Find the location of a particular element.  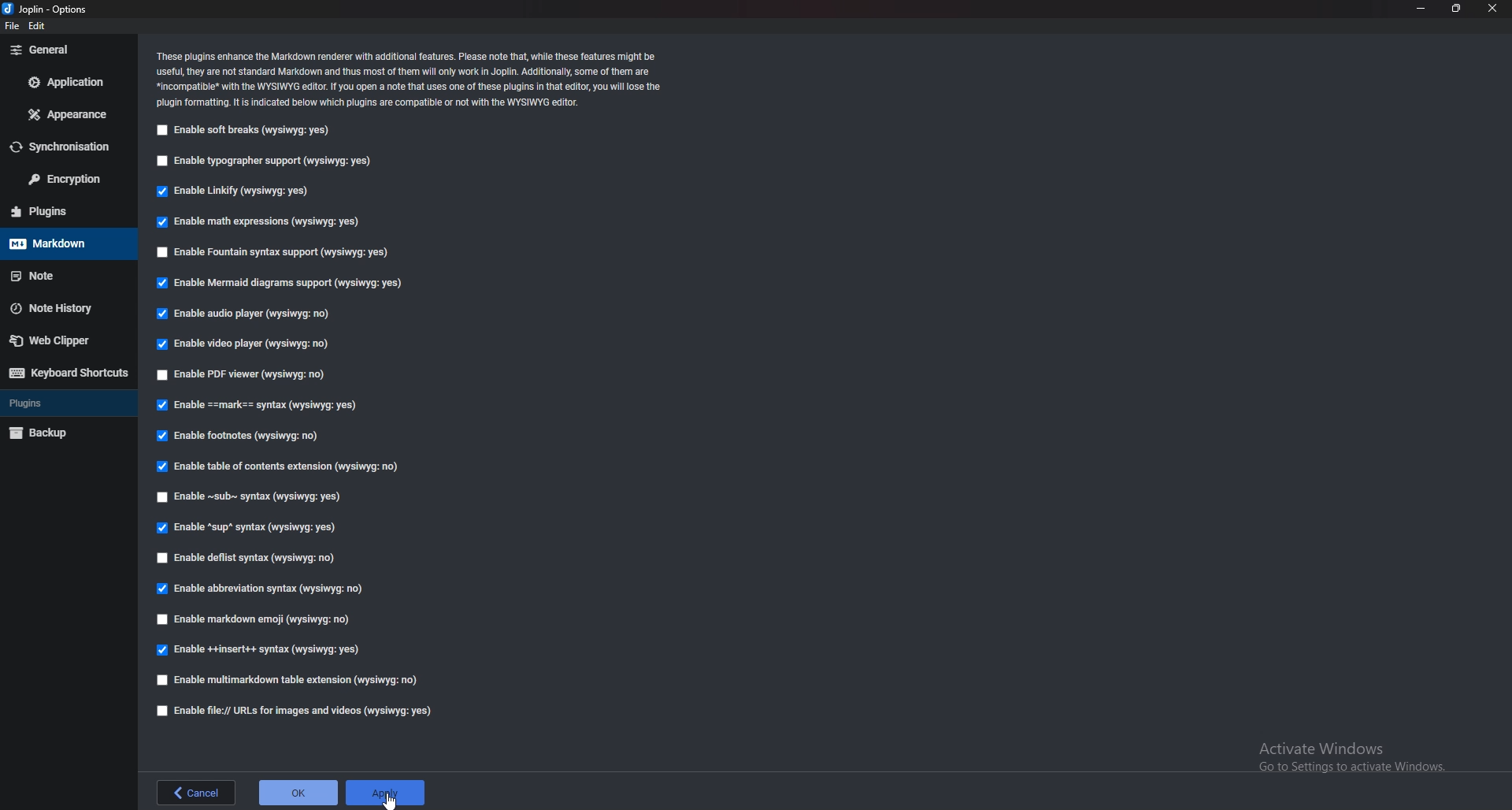

close is located at coordinates (1492, 9).